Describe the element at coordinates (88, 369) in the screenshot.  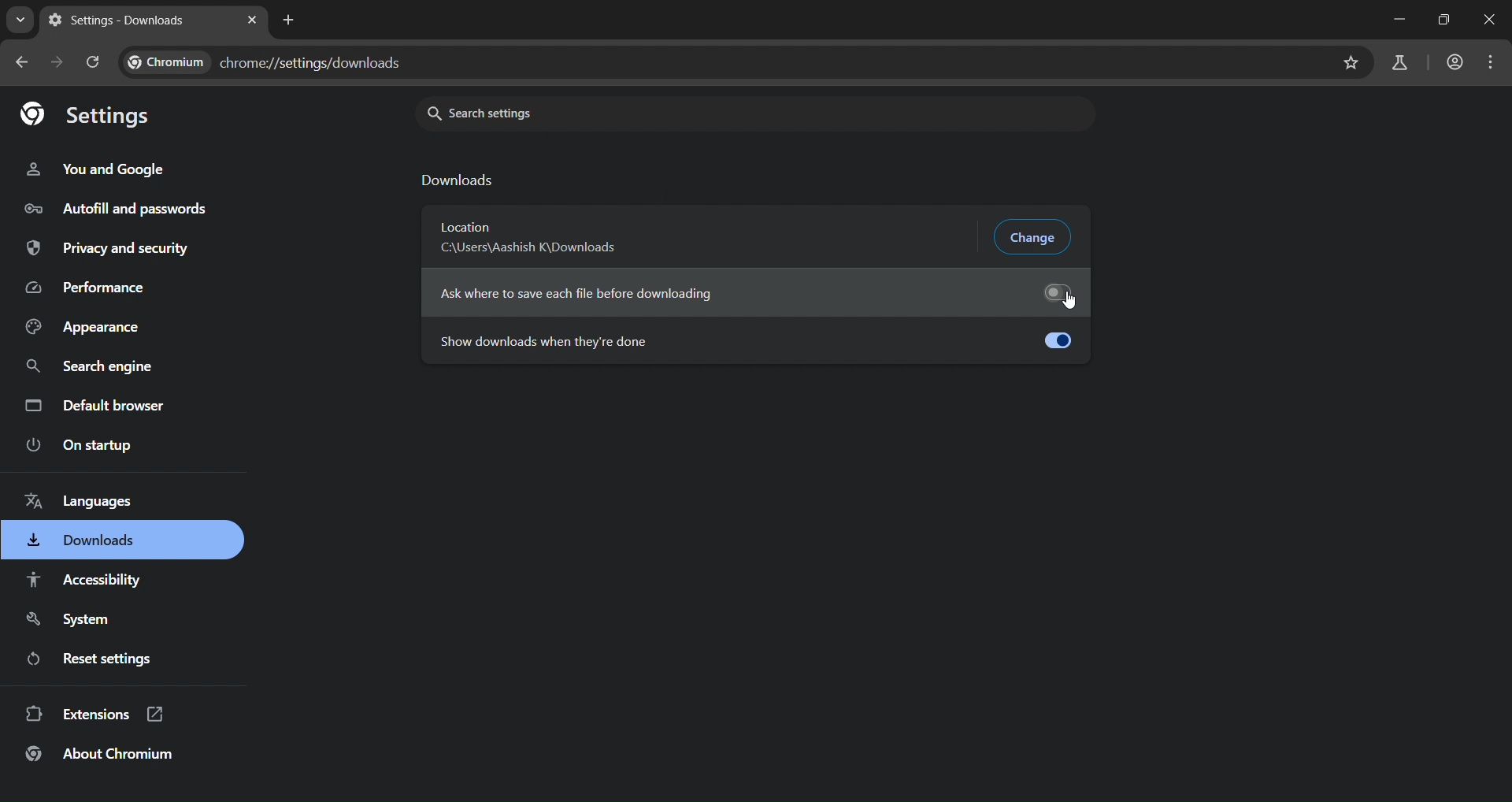
I see `search engine` at that location.